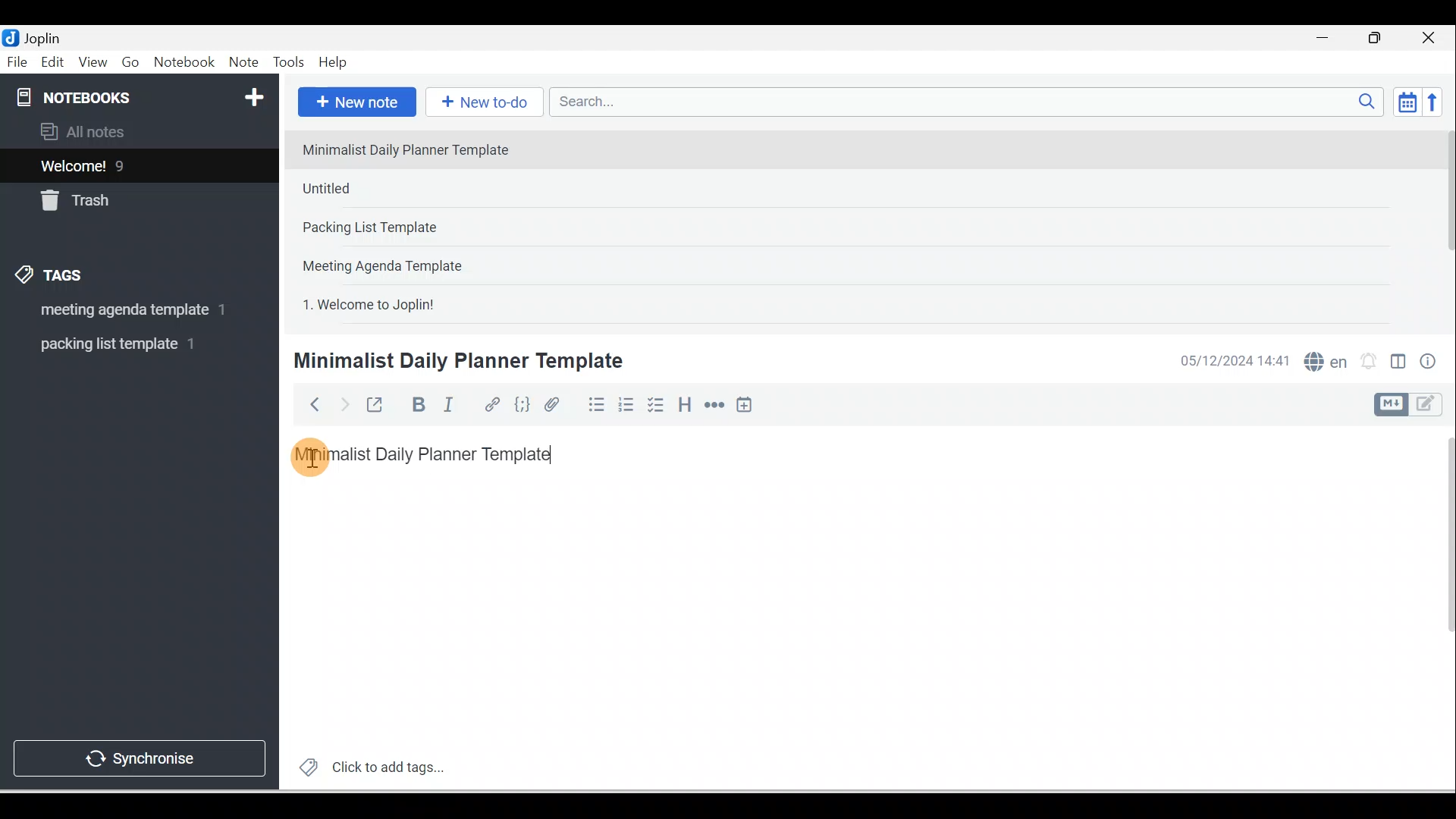 Image resolution: width=1456 pixels, height=819 pixels. What do you see at coordinates (971, 102) in the screenshot?
I see `Search bar` at bounding box center [971, 102].